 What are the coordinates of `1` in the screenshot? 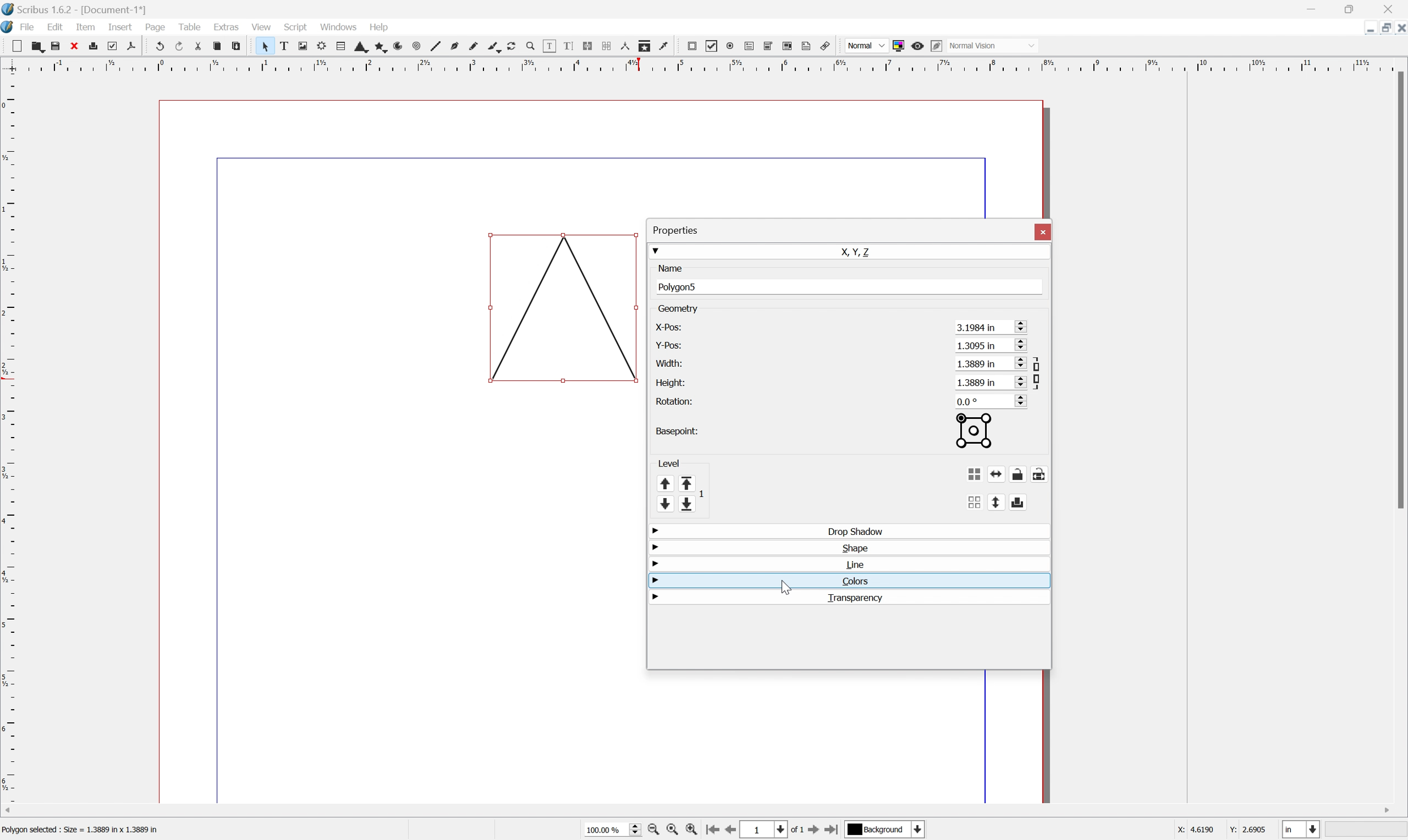 It's located at (757, 830).